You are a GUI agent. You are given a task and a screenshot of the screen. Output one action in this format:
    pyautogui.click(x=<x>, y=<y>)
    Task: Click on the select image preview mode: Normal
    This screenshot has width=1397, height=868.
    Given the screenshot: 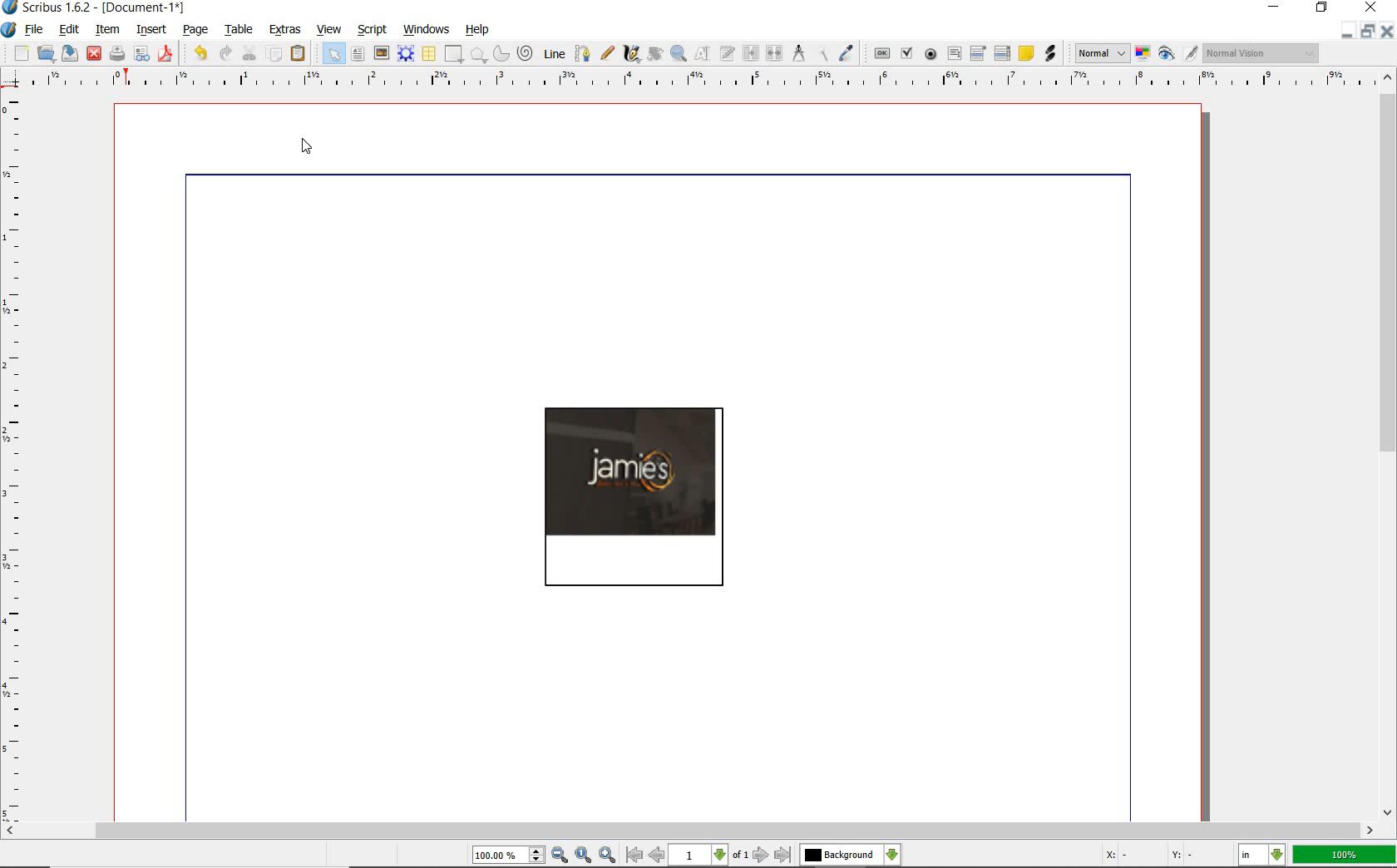 What is the action you would take?
    pyautogui.click(x=1101, y=53)
    